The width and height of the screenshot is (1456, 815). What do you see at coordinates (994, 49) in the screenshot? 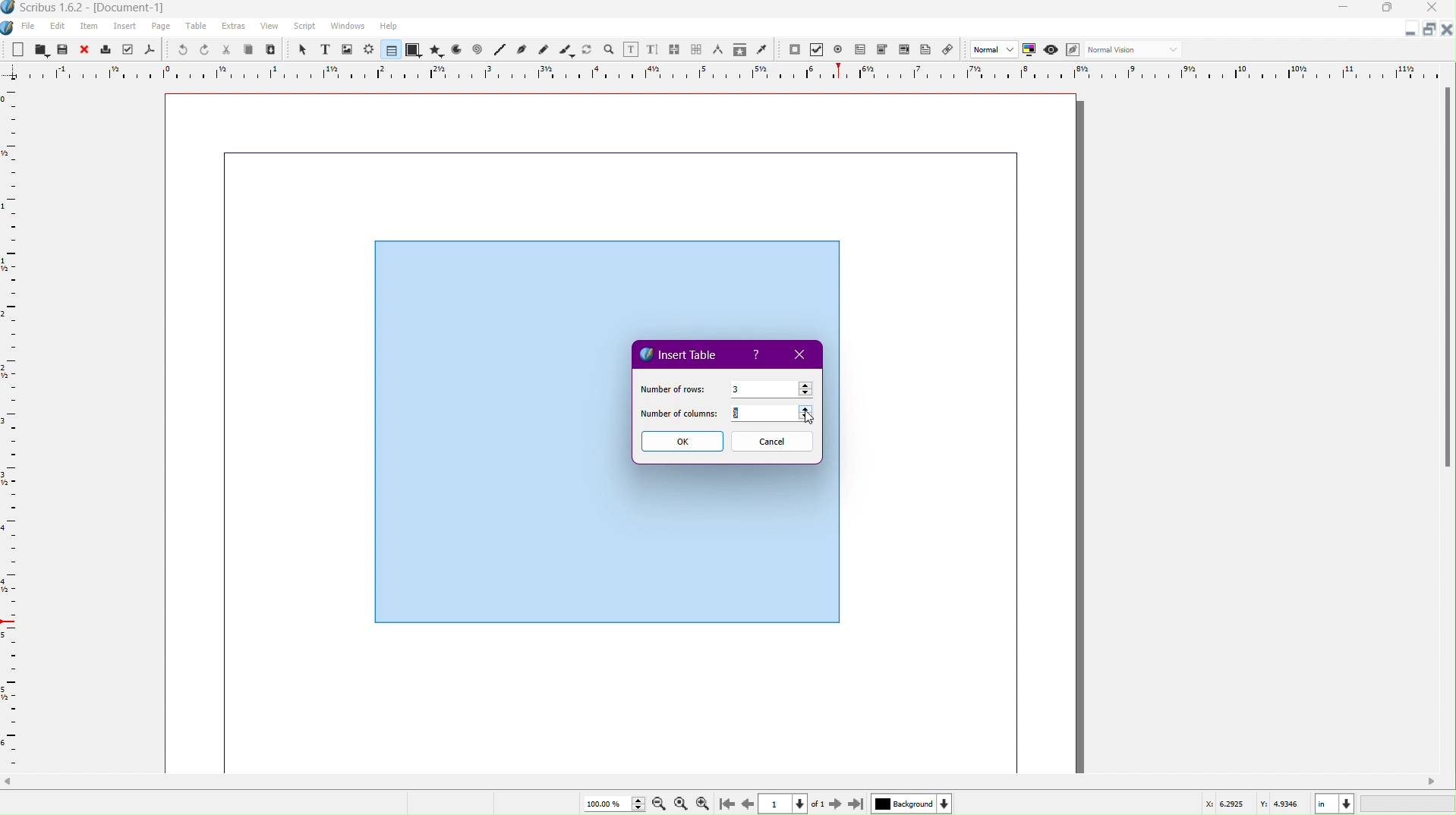
I see `Image Preview Quality` at bounding box center [994, 49].